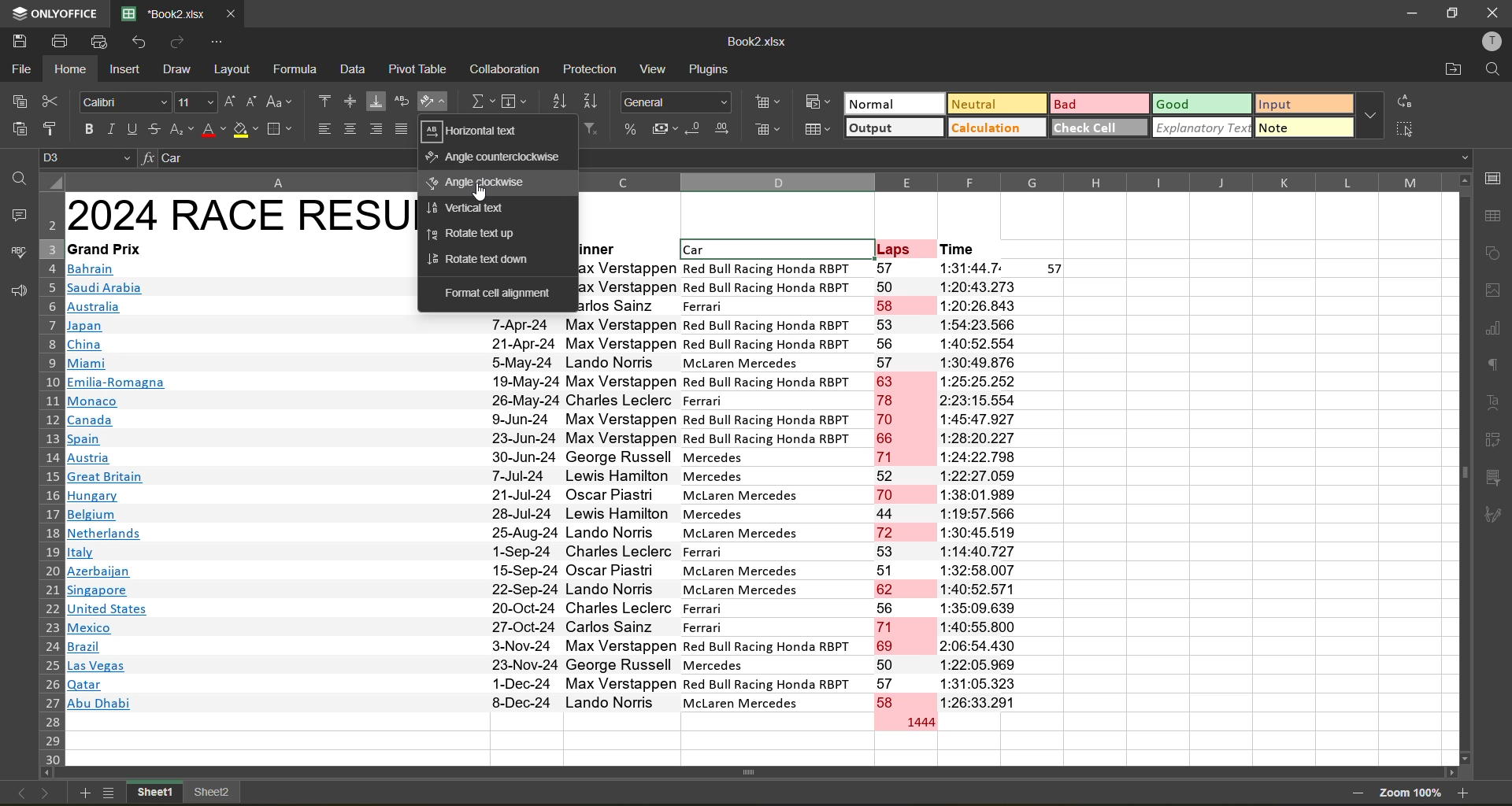 This screenshot has height=806, width=1512. Describe the element at coordinates (180, 130) in the screenshot. I see `sub/superscript` at that location.